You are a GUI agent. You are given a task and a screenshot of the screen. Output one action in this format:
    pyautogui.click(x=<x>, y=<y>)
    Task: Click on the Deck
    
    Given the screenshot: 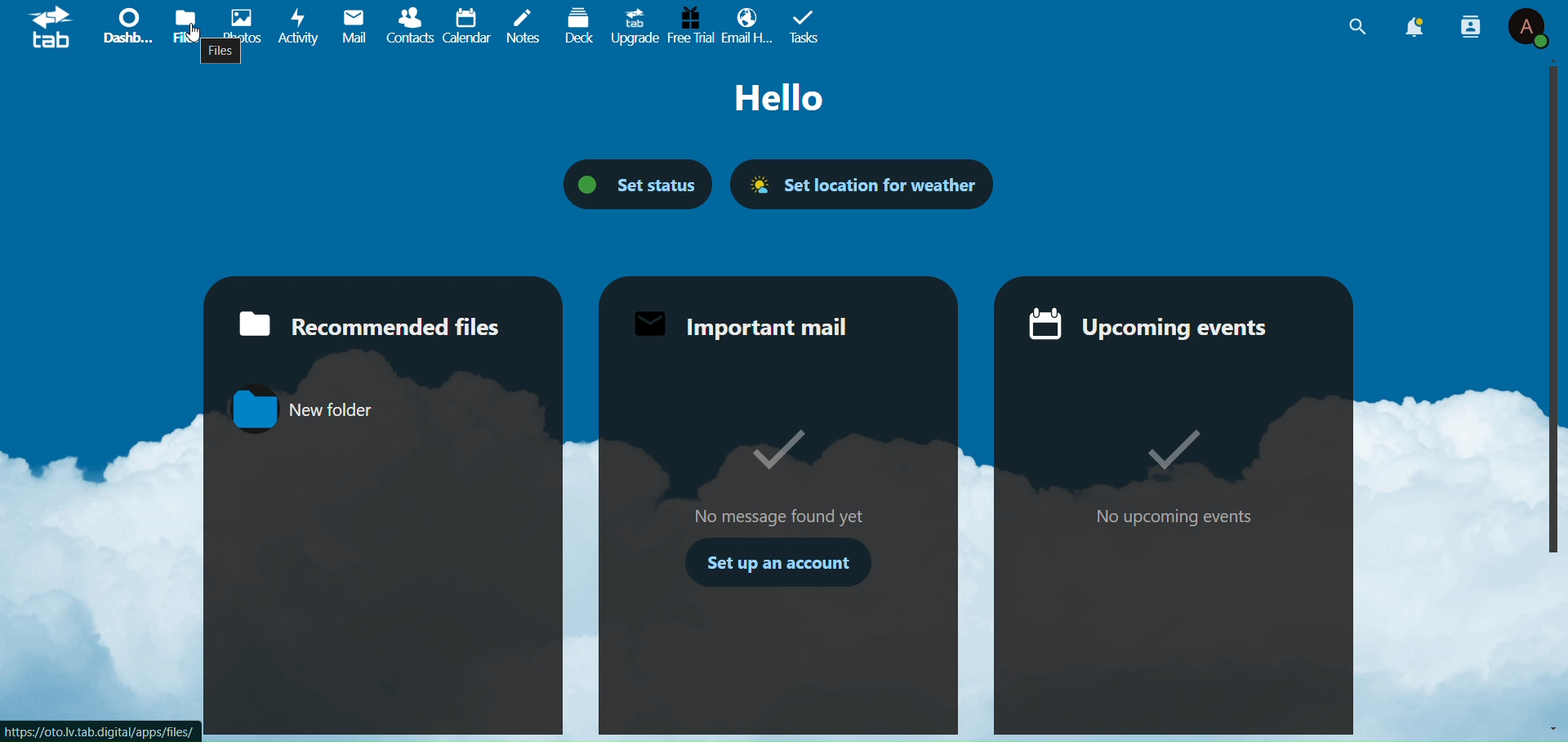 What is the action you would take?
    pyautogui.click(x=576, y=24)
    